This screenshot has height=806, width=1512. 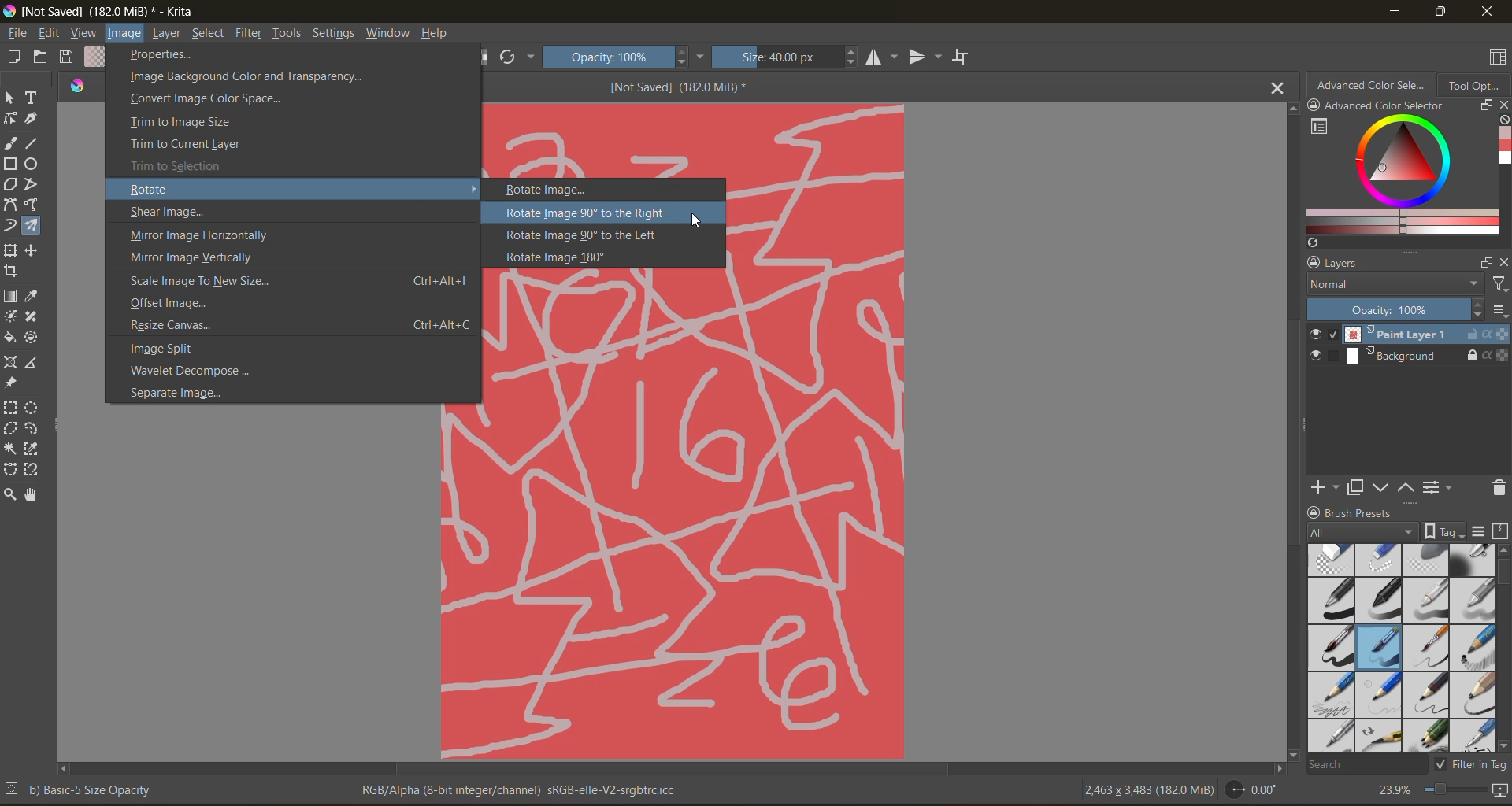 I want to click on close docker, so click(x=1503, y=105).